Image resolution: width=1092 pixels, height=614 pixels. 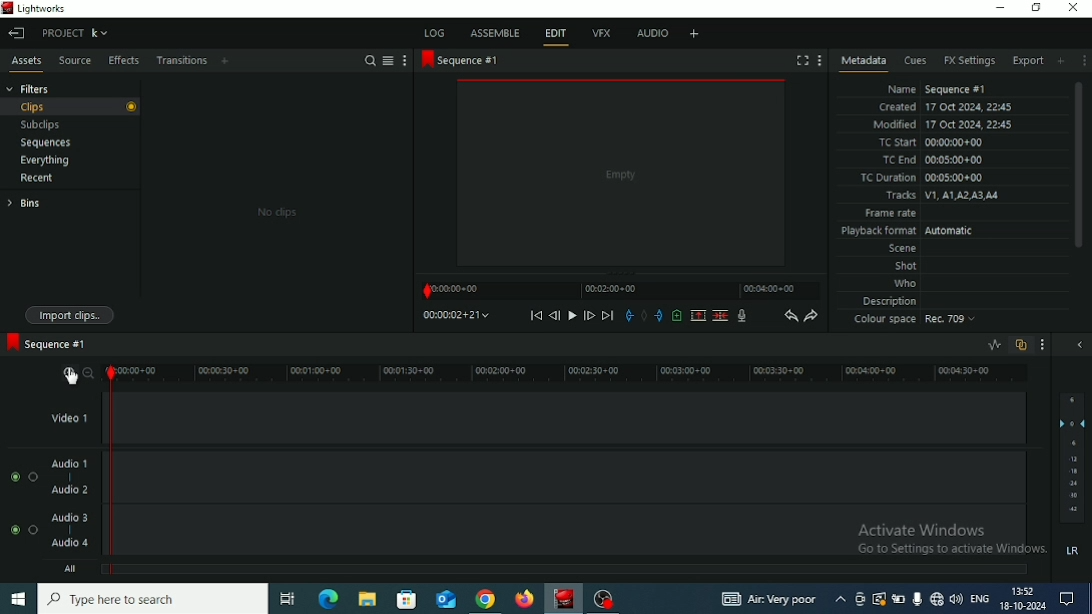 I want to click on Clear all marks, so click(x=643, y=316).